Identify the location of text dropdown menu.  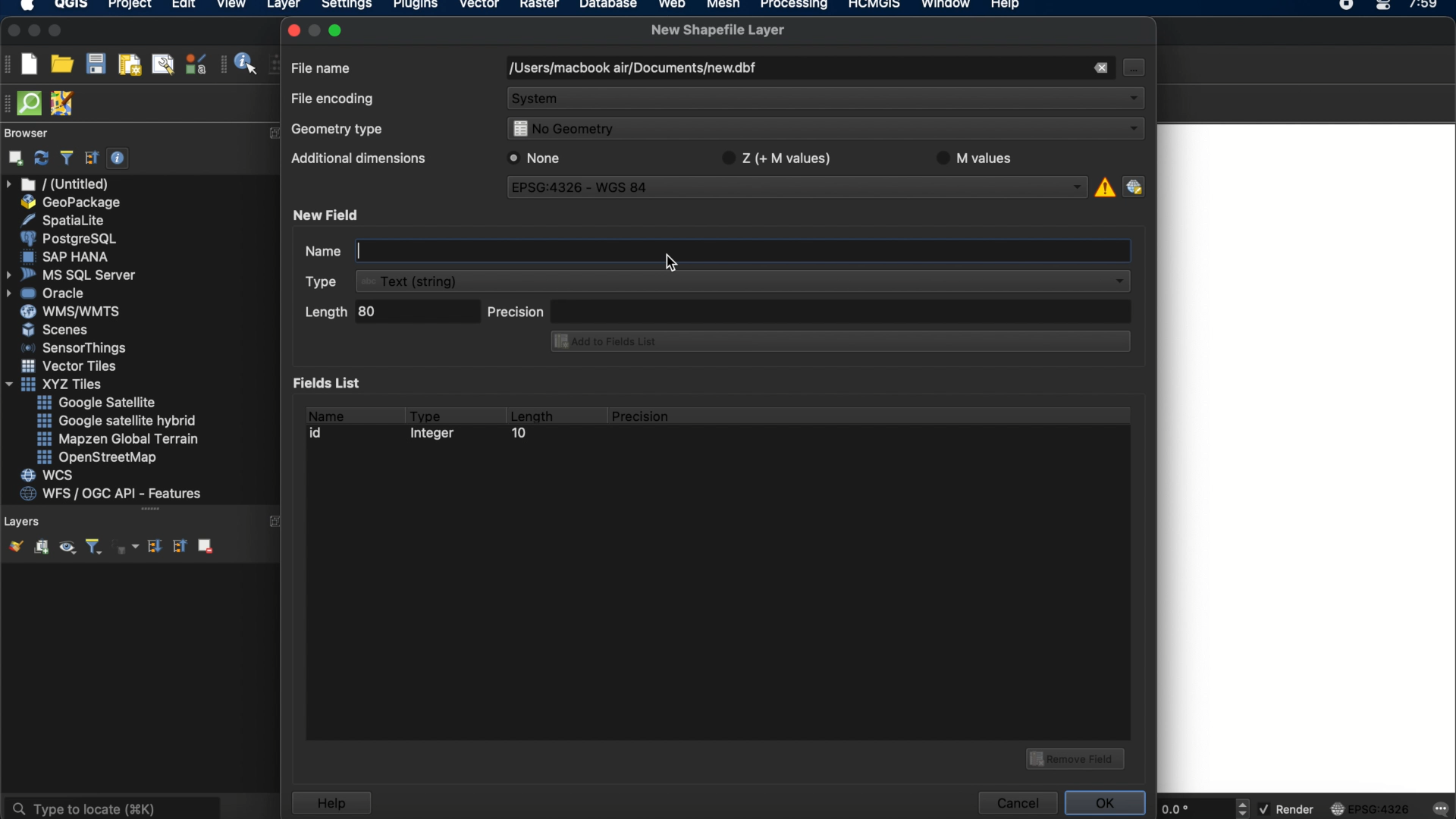
(720, 281).